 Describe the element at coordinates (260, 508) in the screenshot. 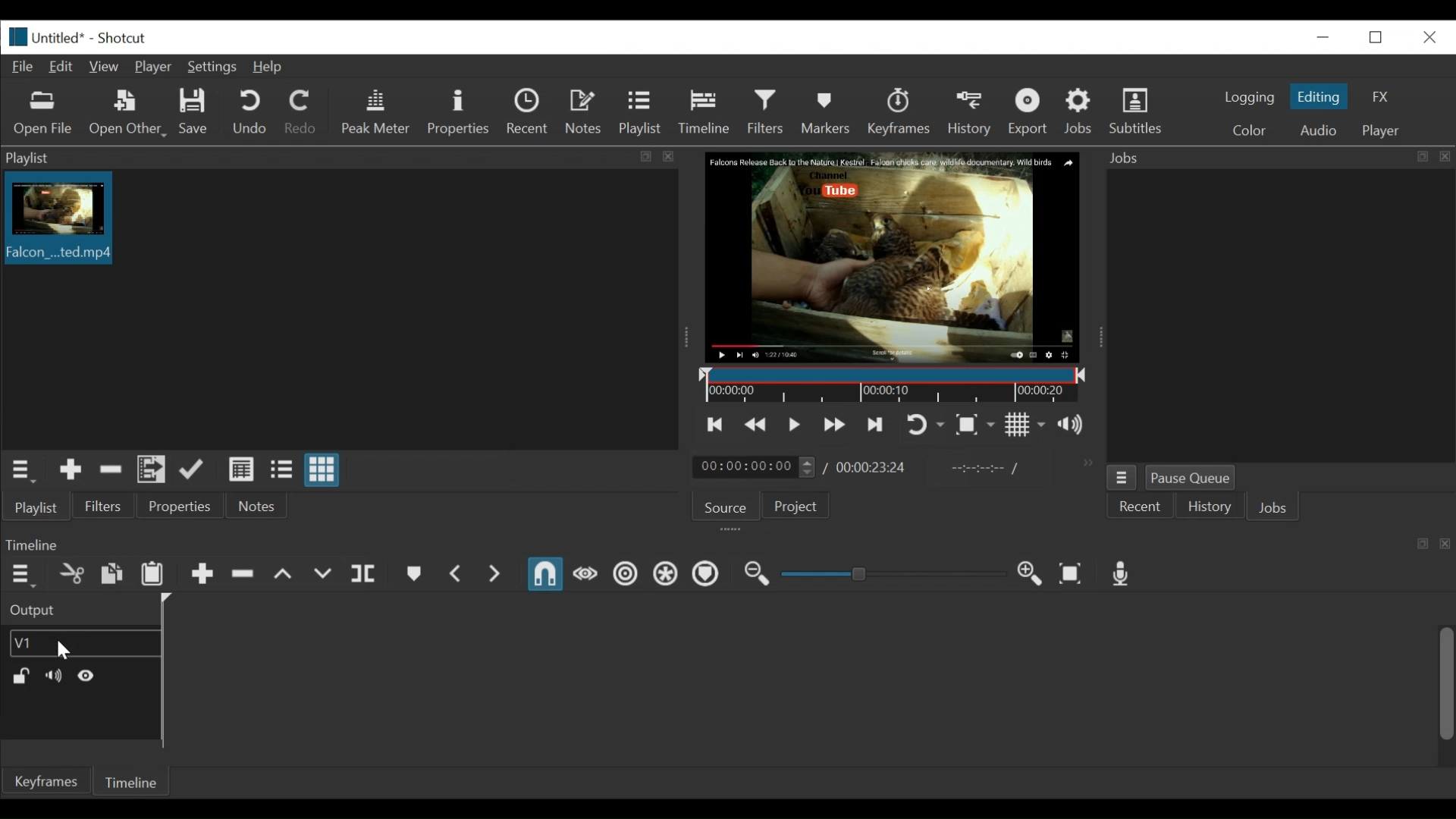

I see `Notes` at that location.